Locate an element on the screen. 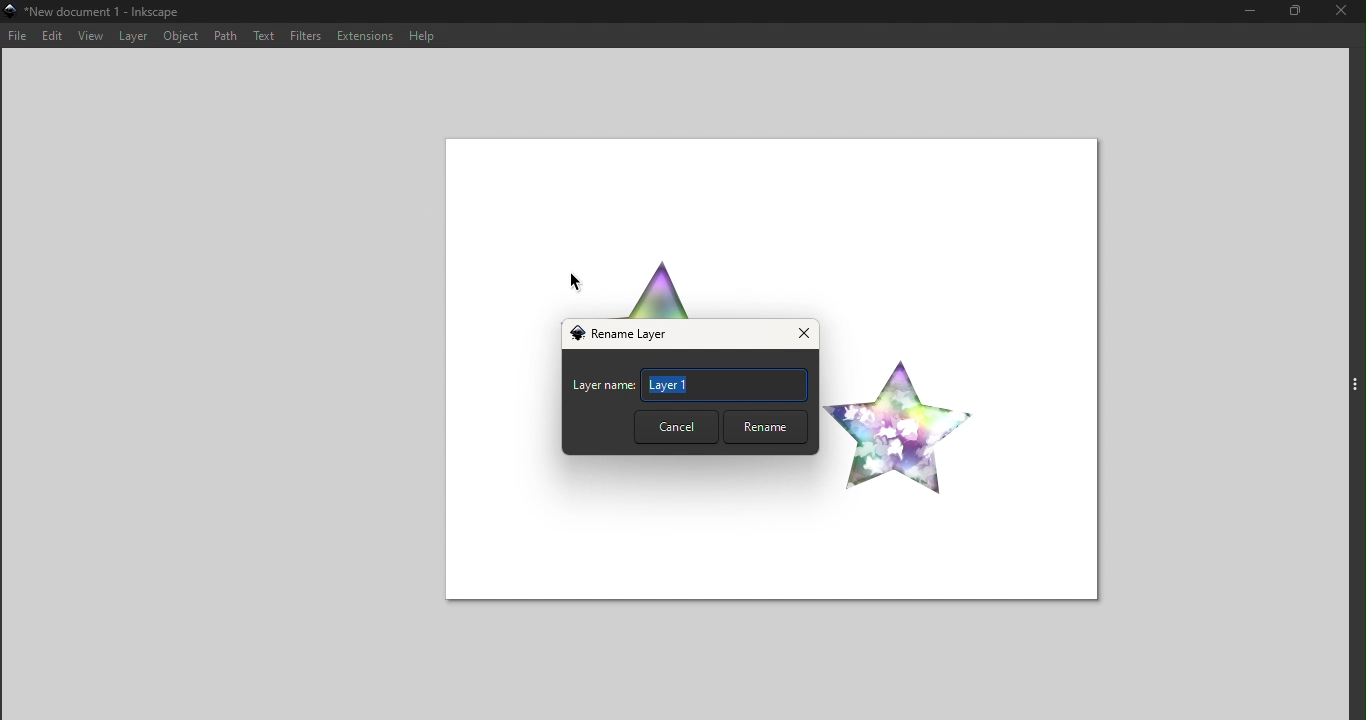 The image size is (1366, 720). cursor is located at coordinates (578, 284).